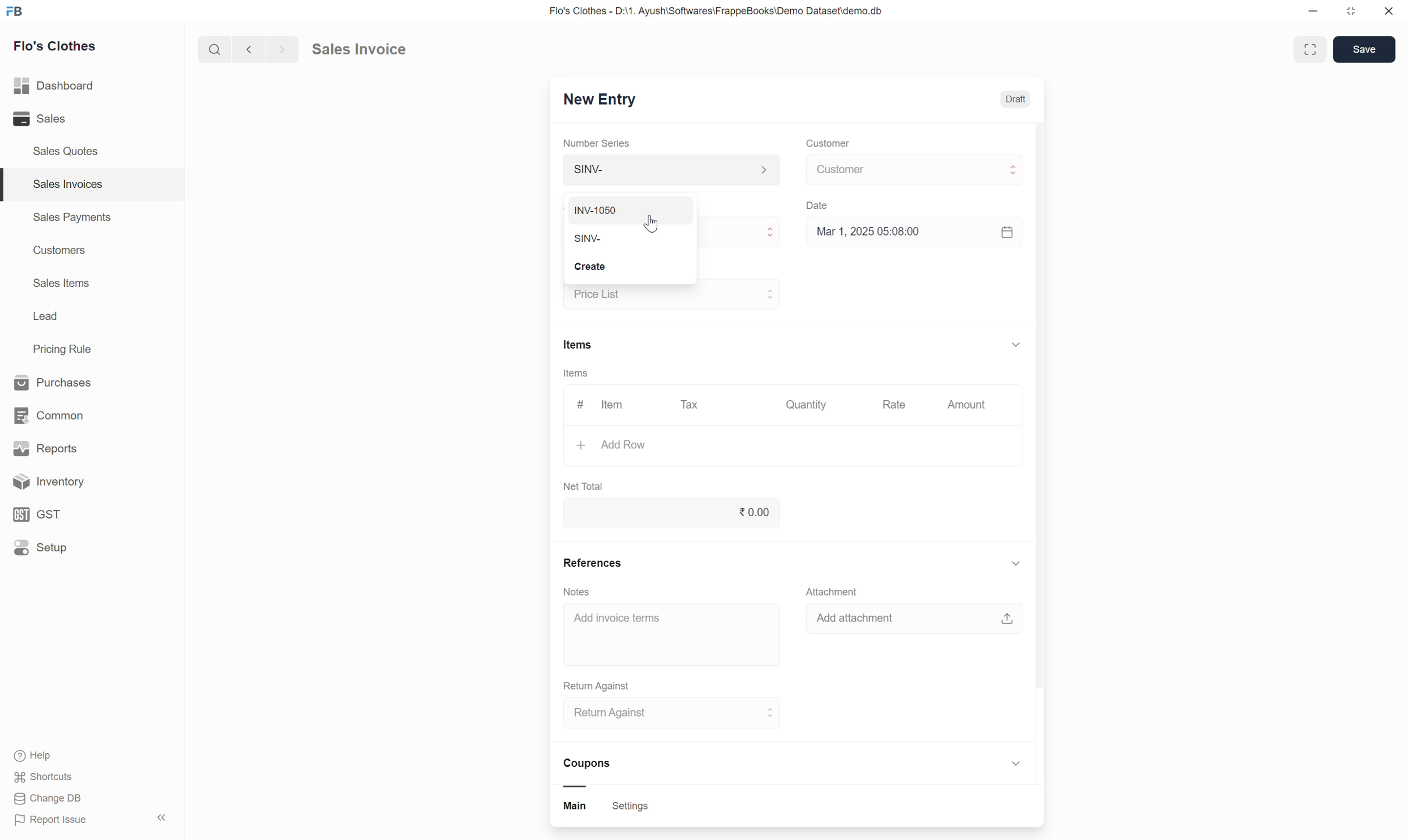  I want to click on close , so click(1390, 12).